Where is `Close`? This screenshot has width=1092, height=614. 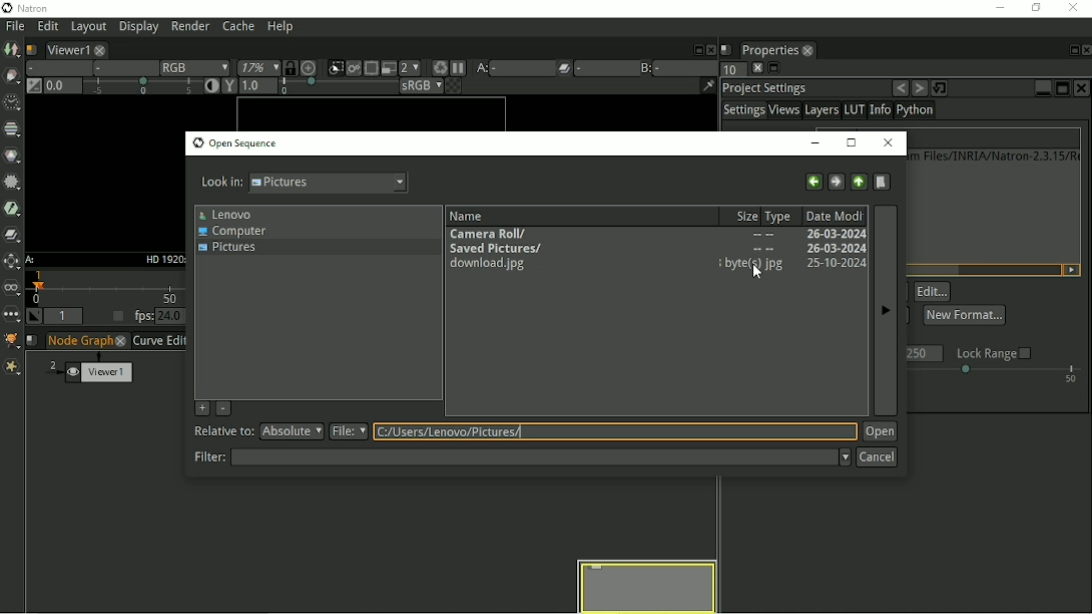
Close is located at coordinates (1075, 8).